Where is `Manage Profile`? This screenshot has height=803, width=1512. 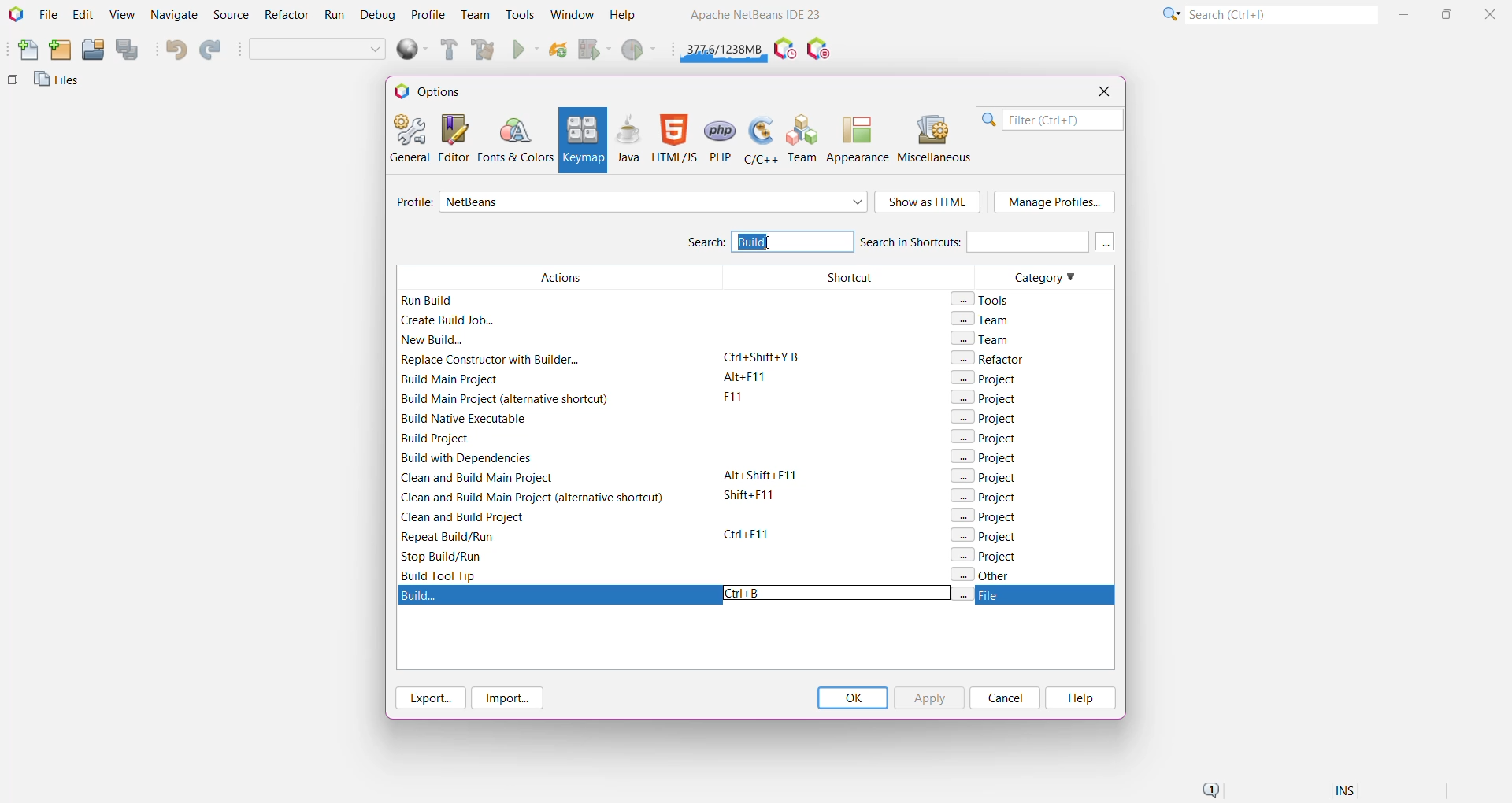
Manage Profile is located at coordinates (1054, 202).